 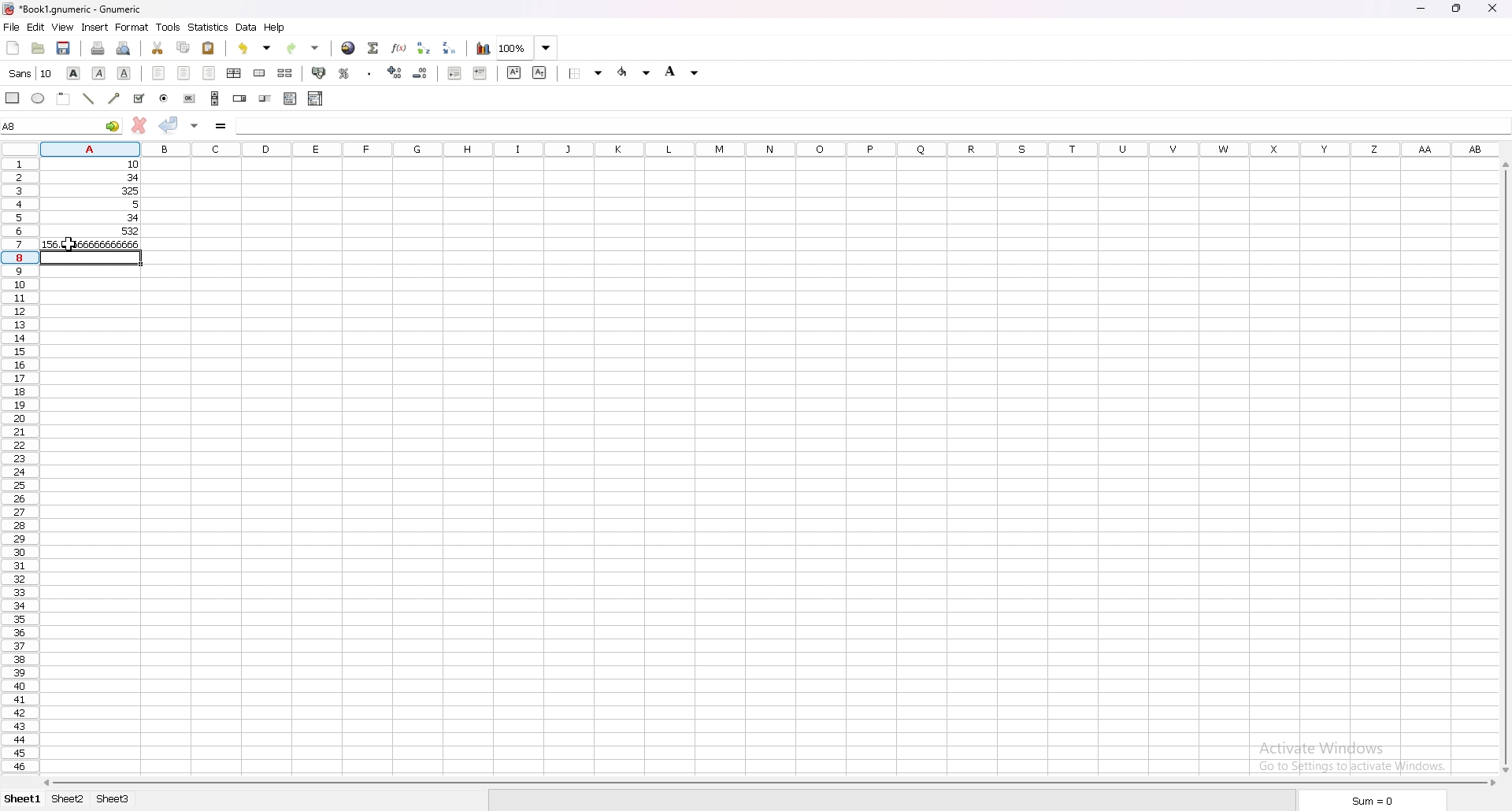 I want to click on center, so click(x=184, y=72).